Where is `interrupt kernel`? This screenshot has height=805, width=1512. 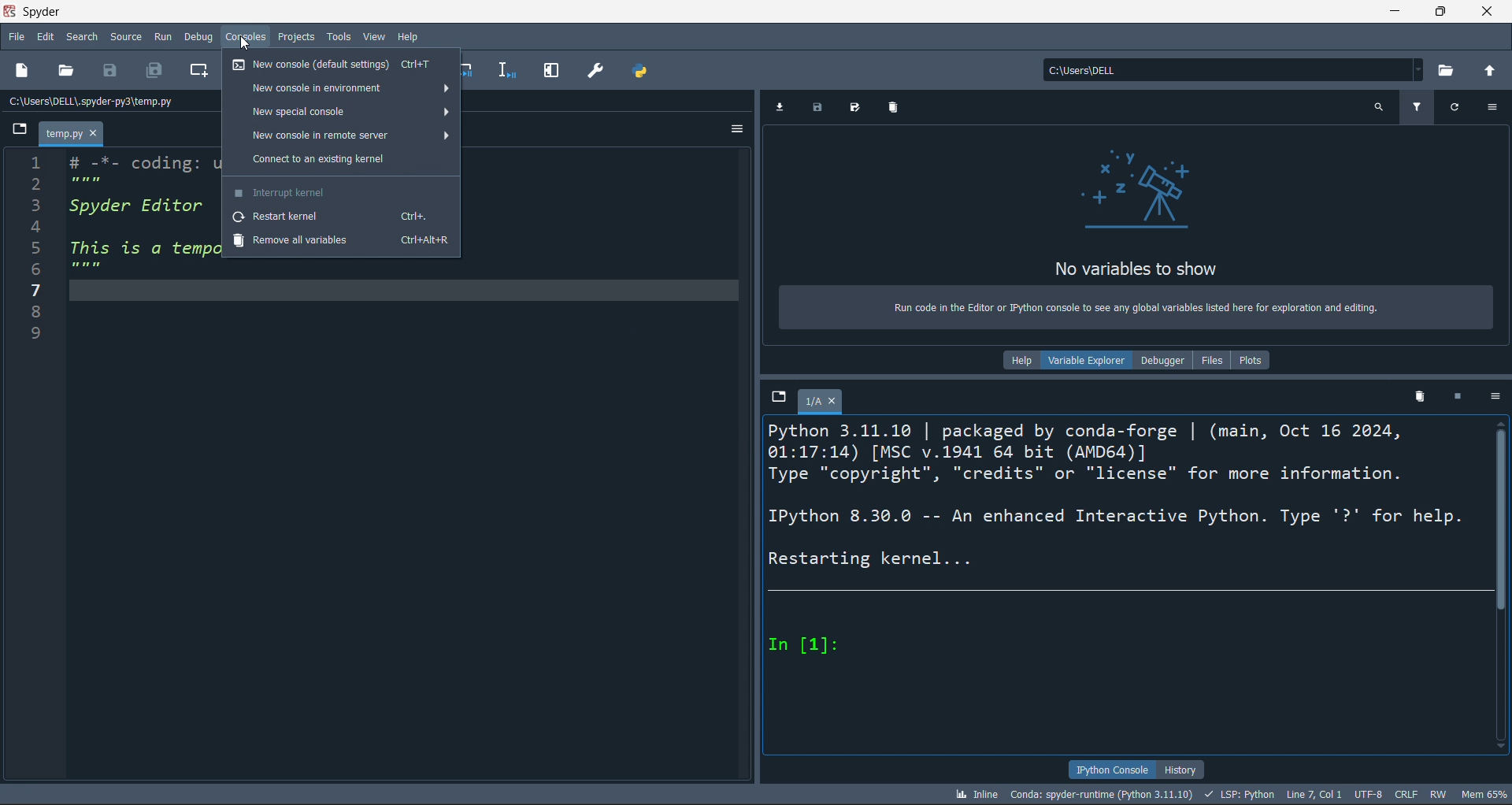
interrupt kernel is located at coordinates (340, 192).